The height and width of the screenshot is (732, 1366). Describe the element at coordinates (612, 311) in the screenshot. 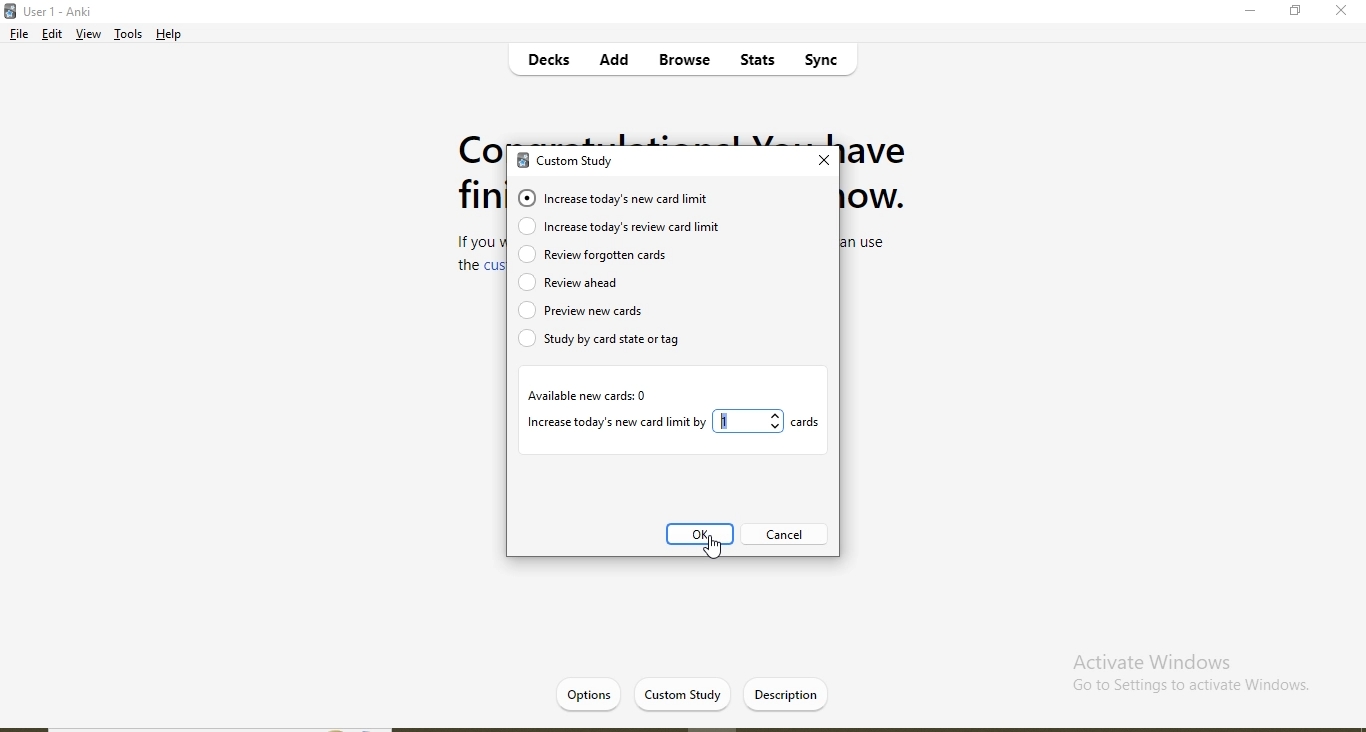

I see `preview new cards` at that location.